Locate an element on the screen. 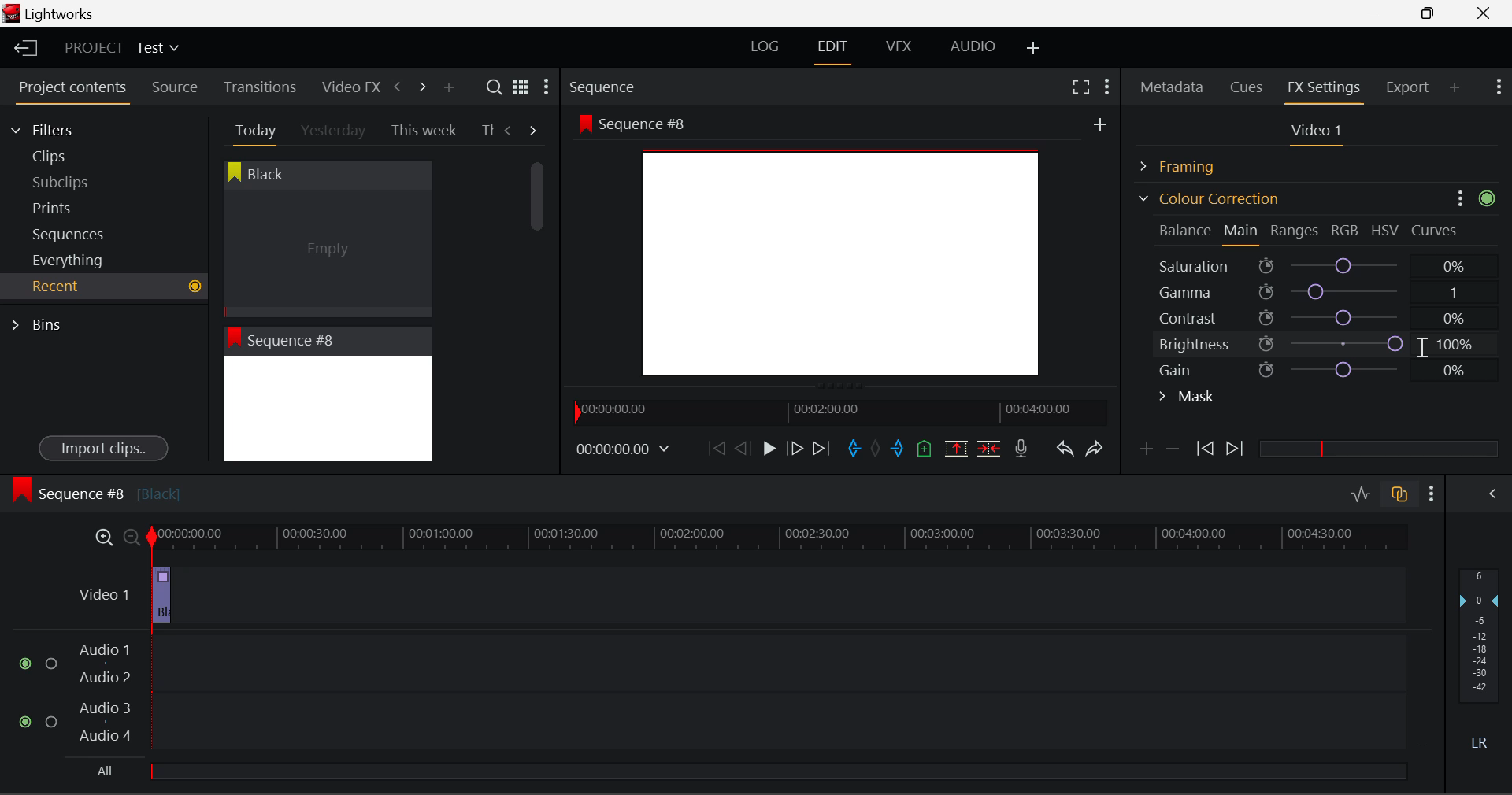 The image size is (1512, 795). DRAG_TO Cursor Position is located at coordinates (1409, 344).